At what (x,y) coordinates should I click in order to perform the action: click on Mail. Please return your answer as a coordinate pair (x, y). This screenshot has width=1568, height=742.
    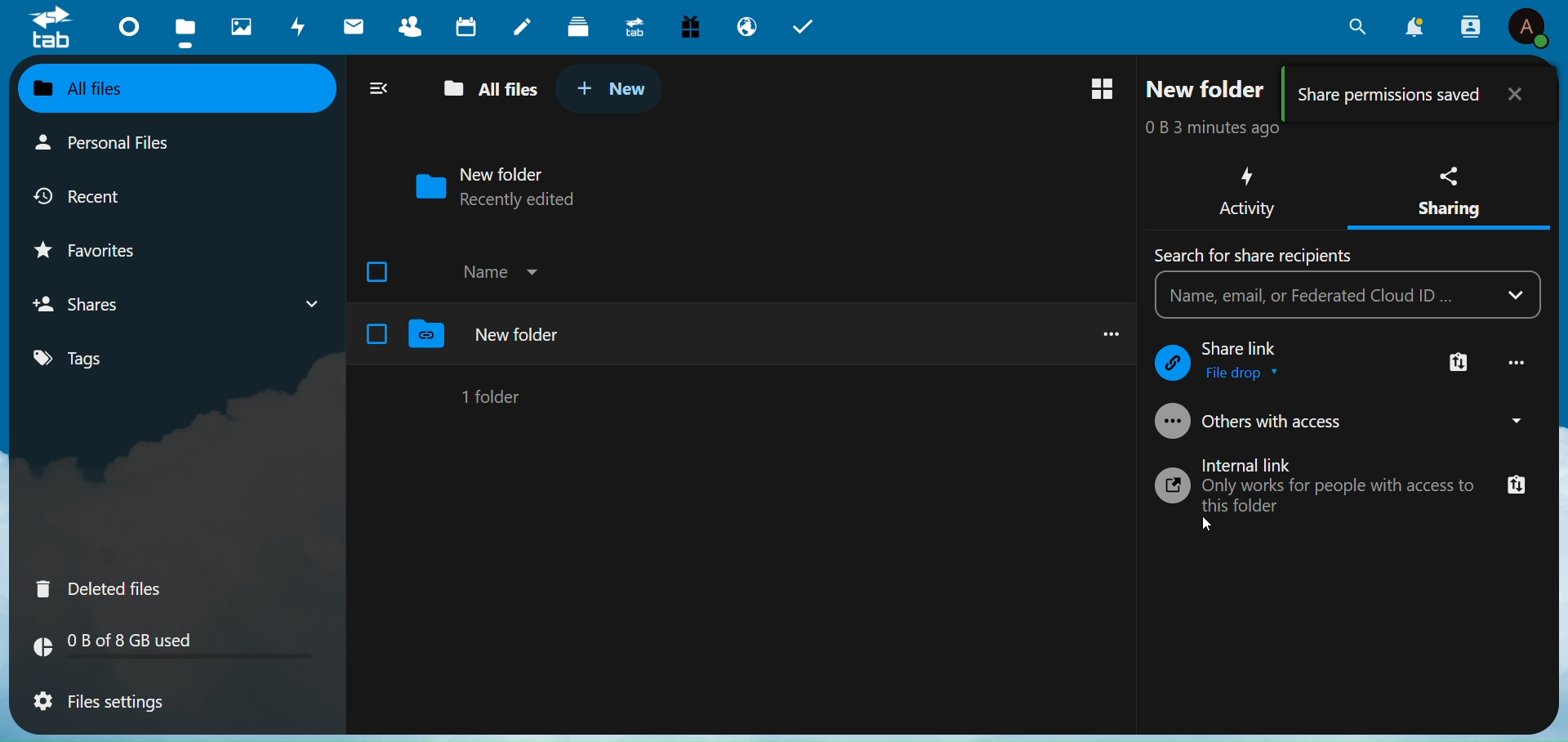
    Looking at the image, I should click on (354, 25).